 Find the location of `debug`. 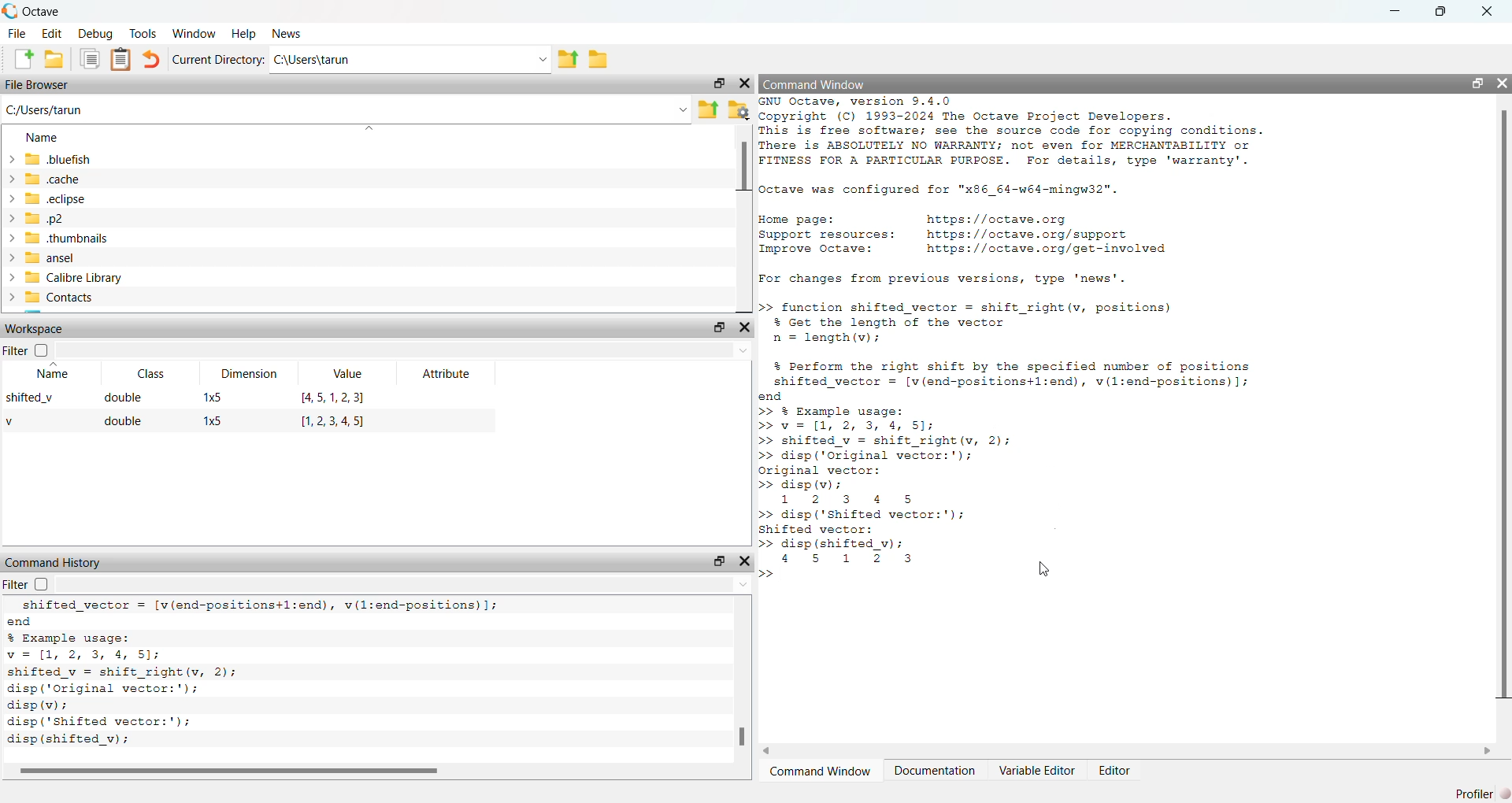

debug is located at coordinates (97, 35).